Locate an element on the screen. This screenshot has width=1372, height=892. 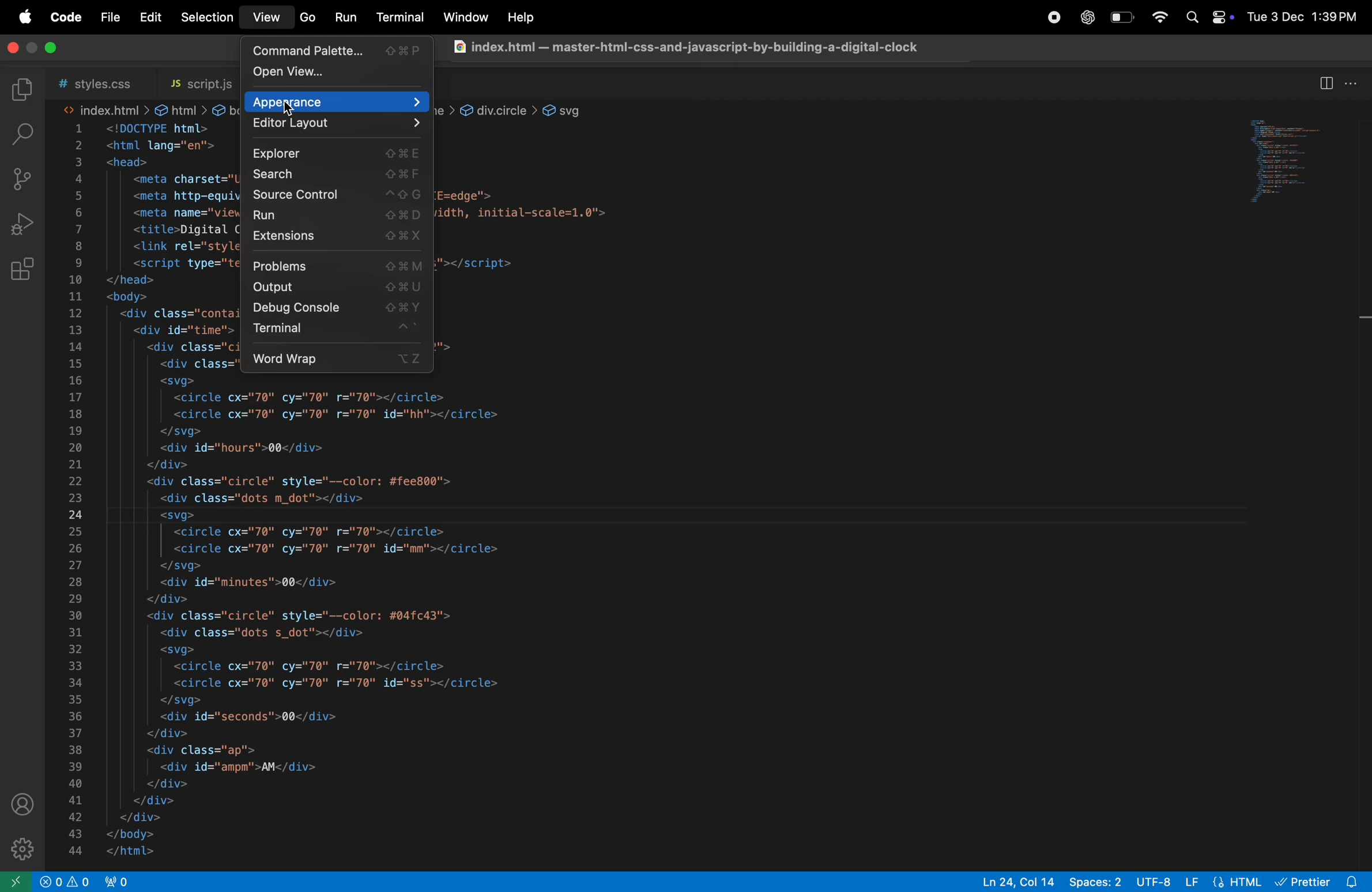
terminal is located at coordinates (398, 17).